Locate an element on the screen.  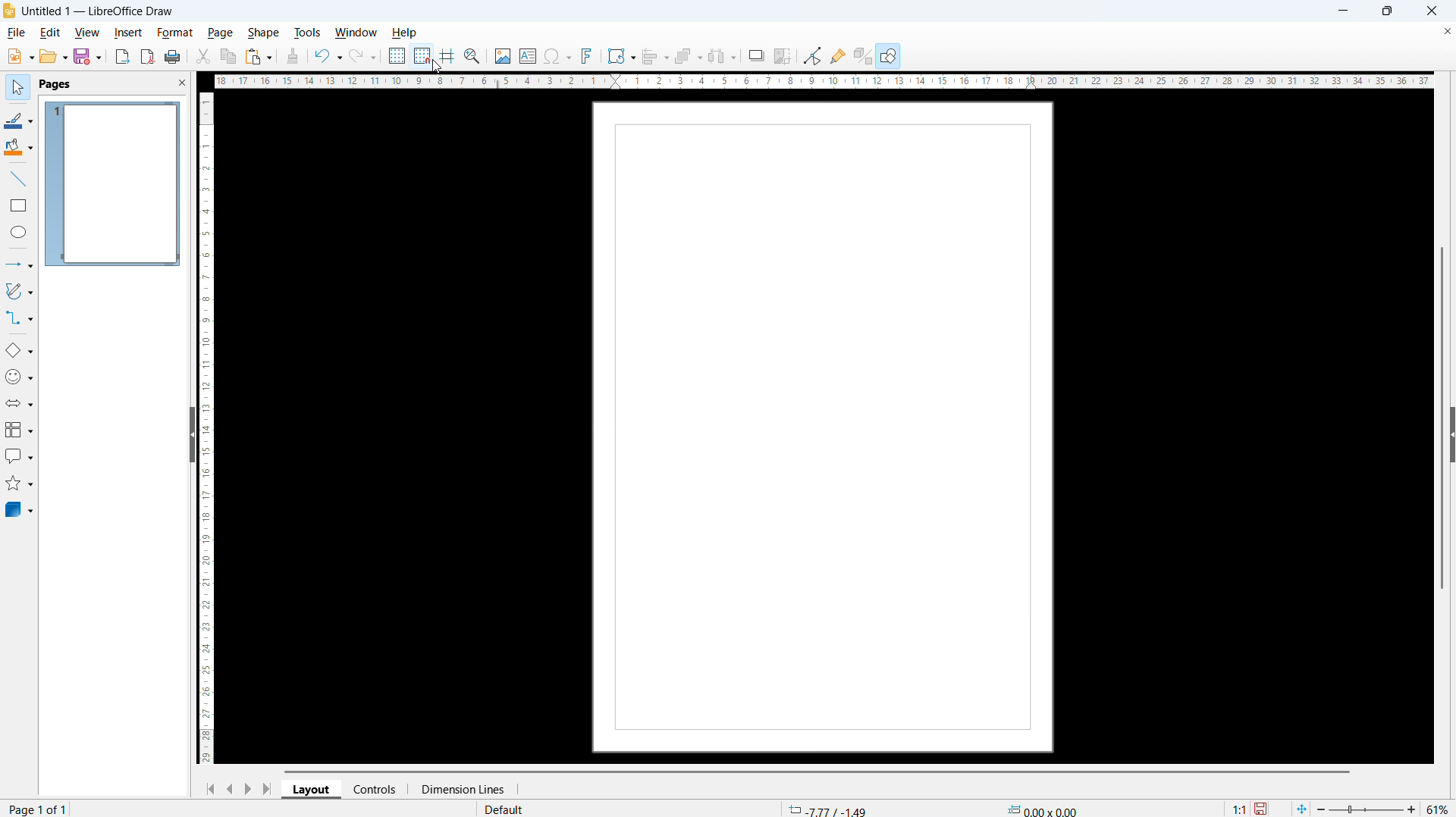
Format  is located at coordinates (175, 33).